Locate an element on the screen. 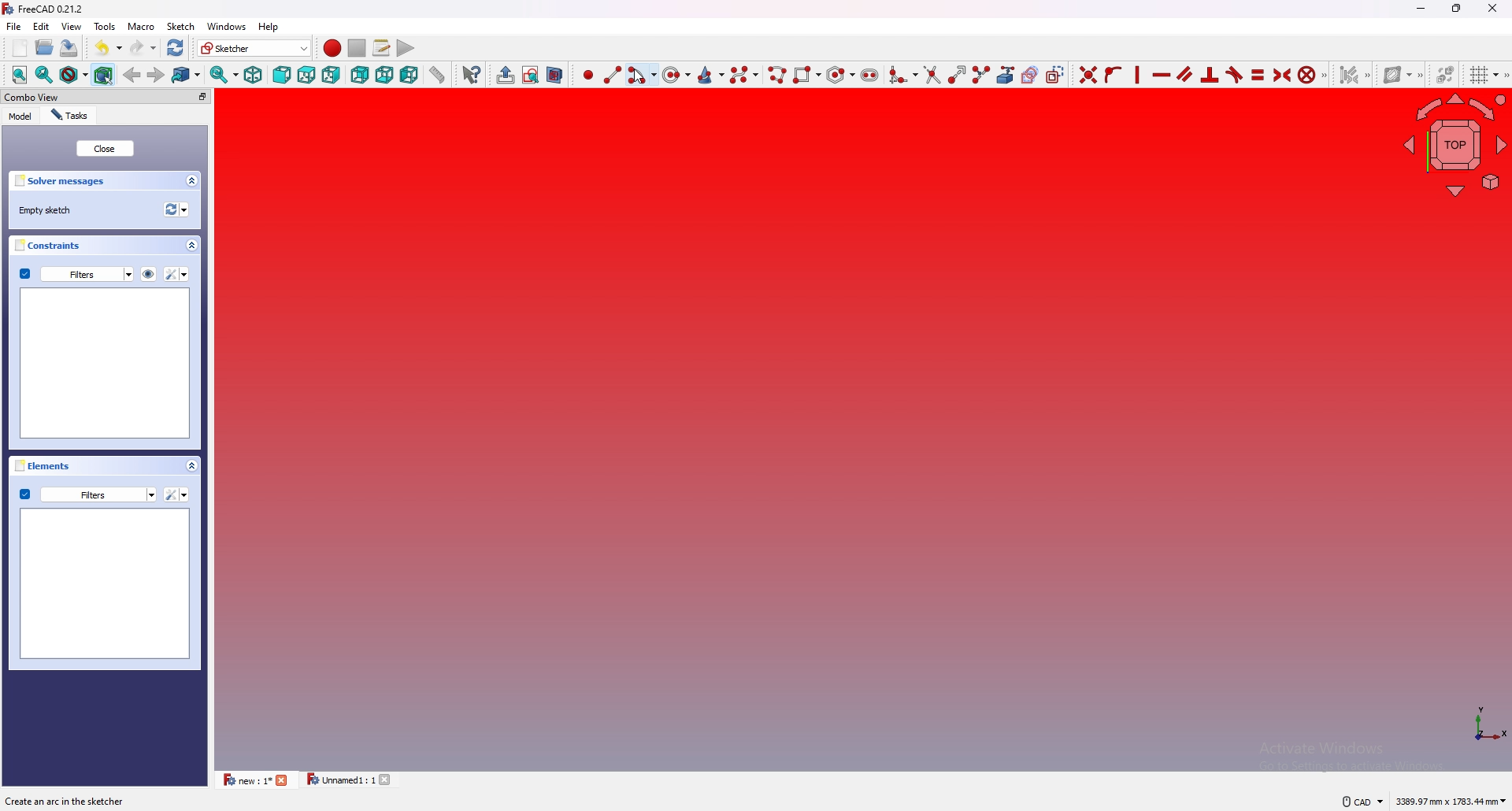 The height and width of the screenshot is (811, 1512). go to linked object is located at coordinates (187, 74).